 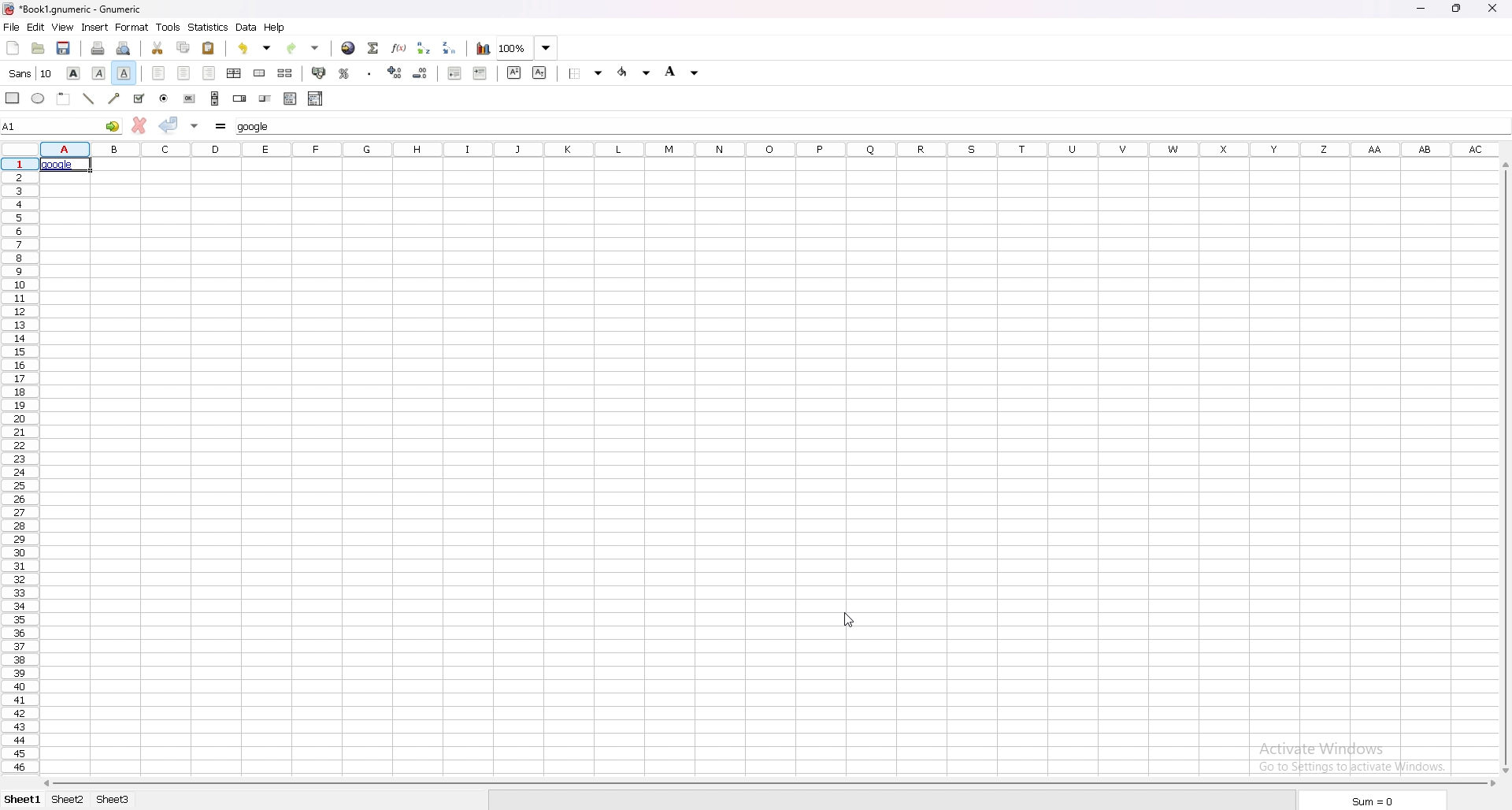 I want to click on redo, so click(x=304, y=48).